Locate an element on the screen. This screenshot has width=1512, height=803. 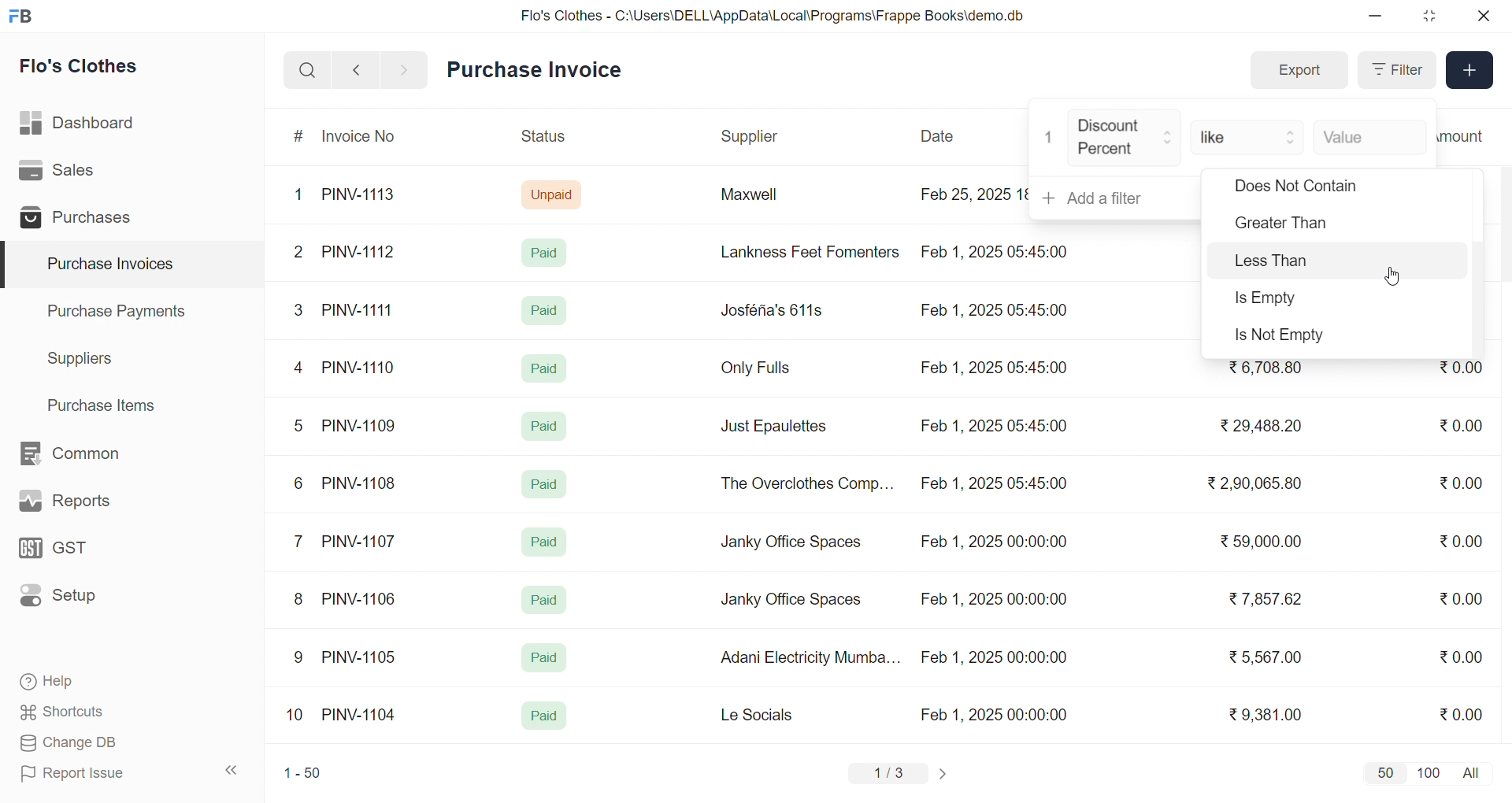
PINV-1111 is located at coordinates (359, 309).